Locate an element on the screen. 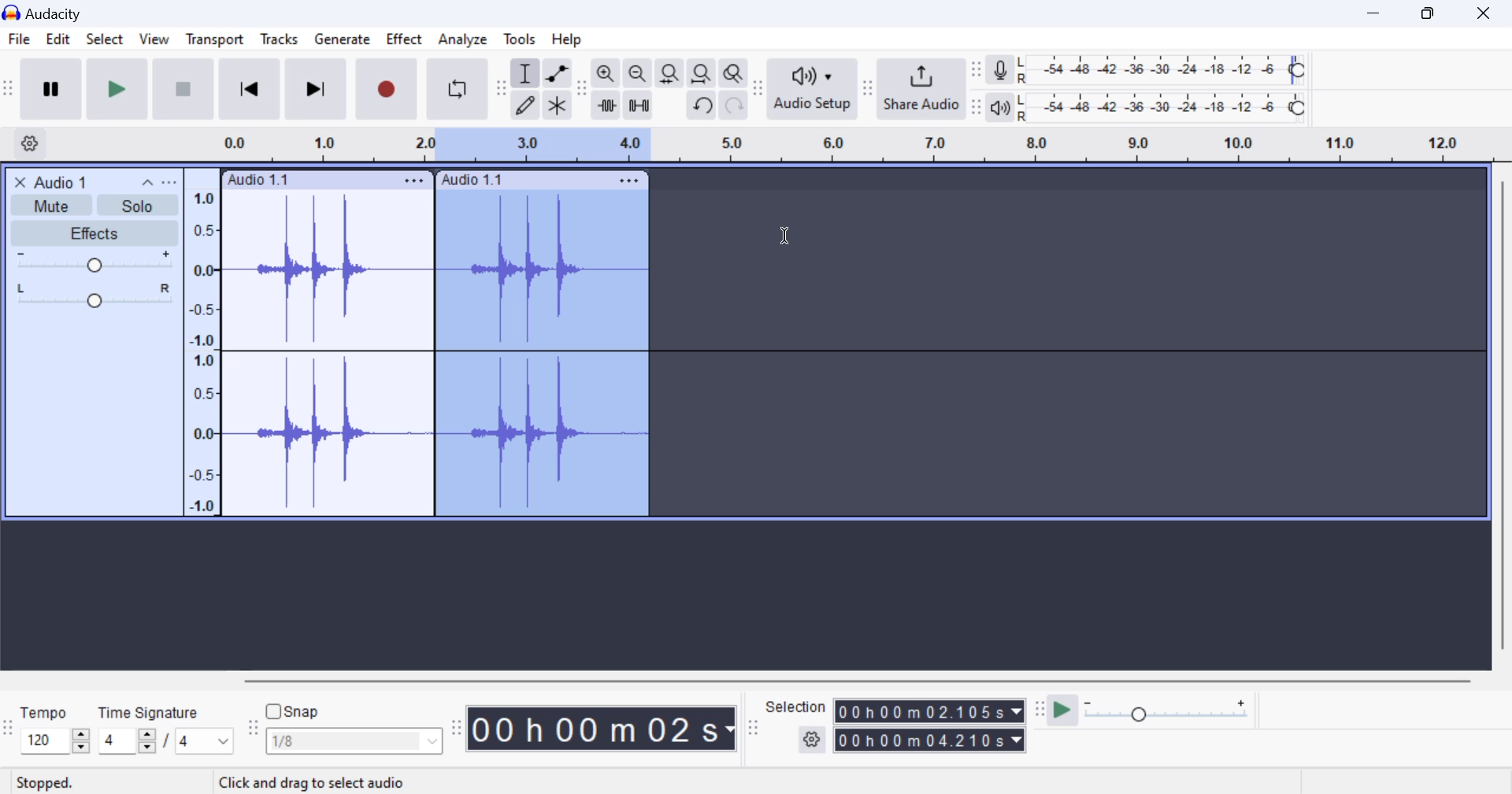 The width and height of the screenshot is (1512, 794). Mute is located at coordinates (54, 204).